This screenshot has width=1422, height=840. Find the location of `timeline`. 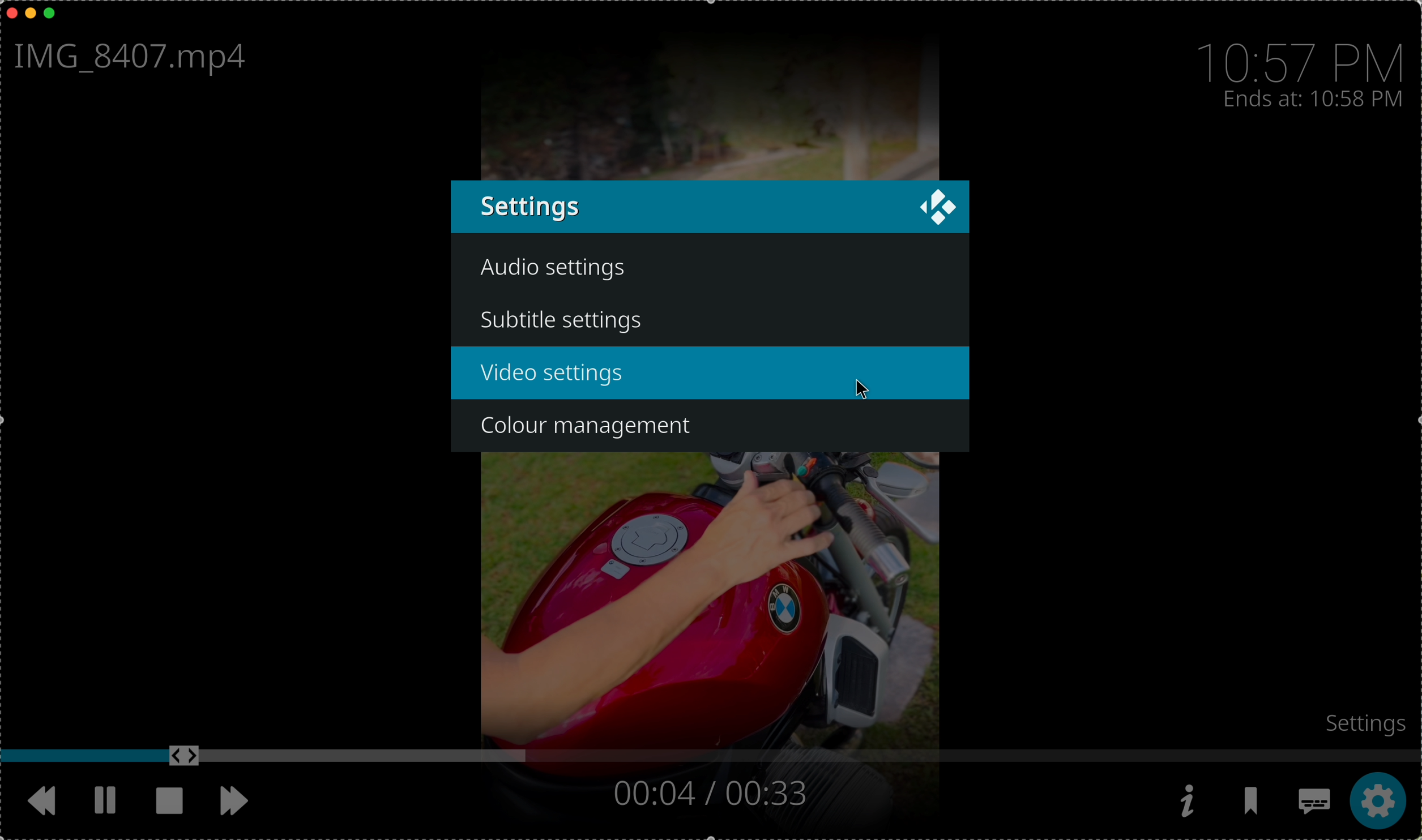

timeline is located at coordinates (711, 756).